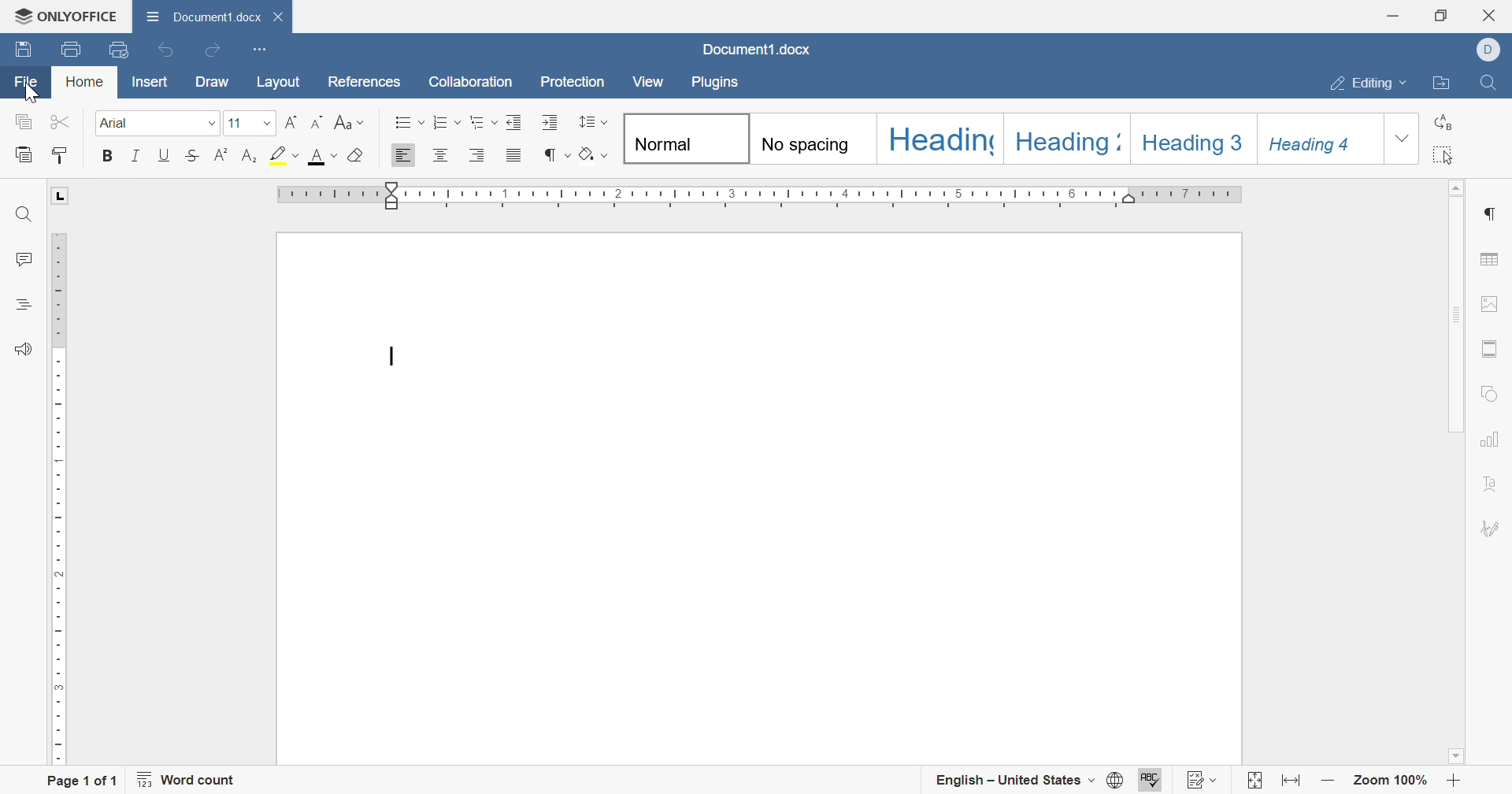  What do you see at coordinates (80, 780) in the screenshot?
I see `page 1 of 1` at bounding box center [80, 780].